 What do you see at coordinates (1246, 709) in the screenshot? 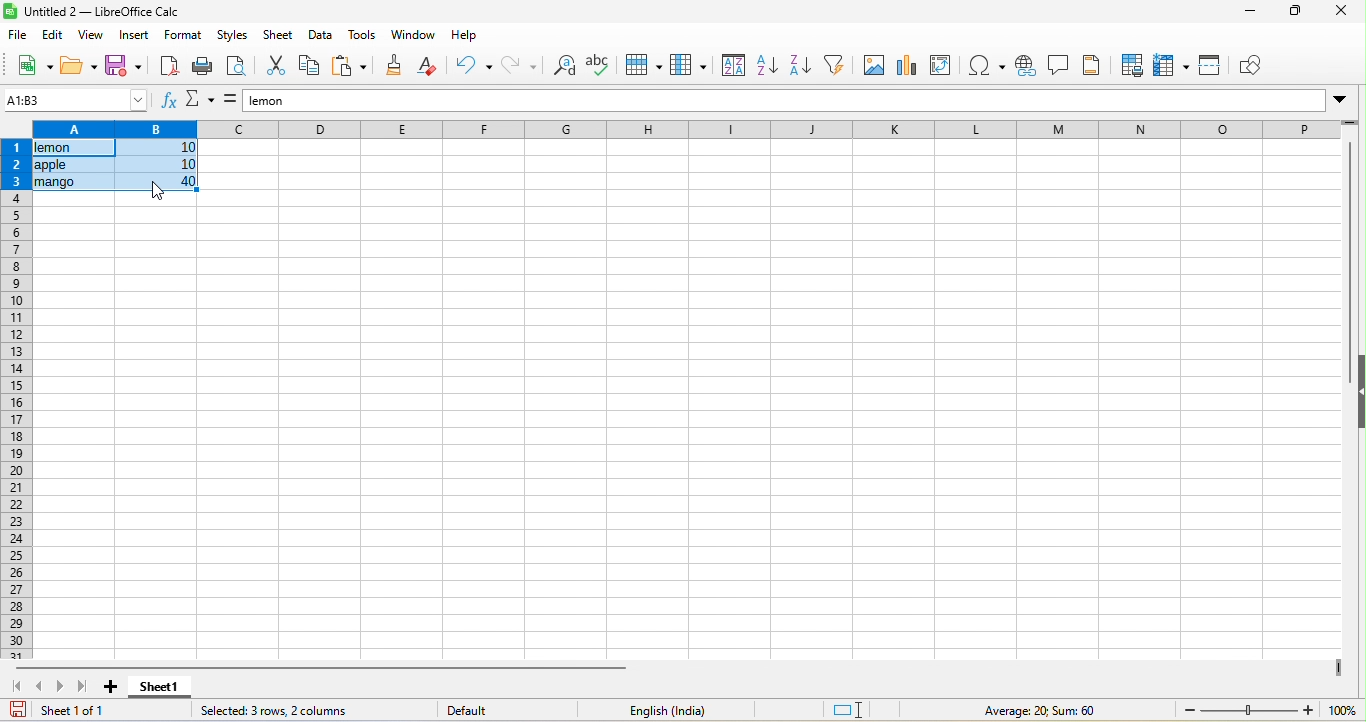
I see `zoom slider` at bounding box center [1246, 709].